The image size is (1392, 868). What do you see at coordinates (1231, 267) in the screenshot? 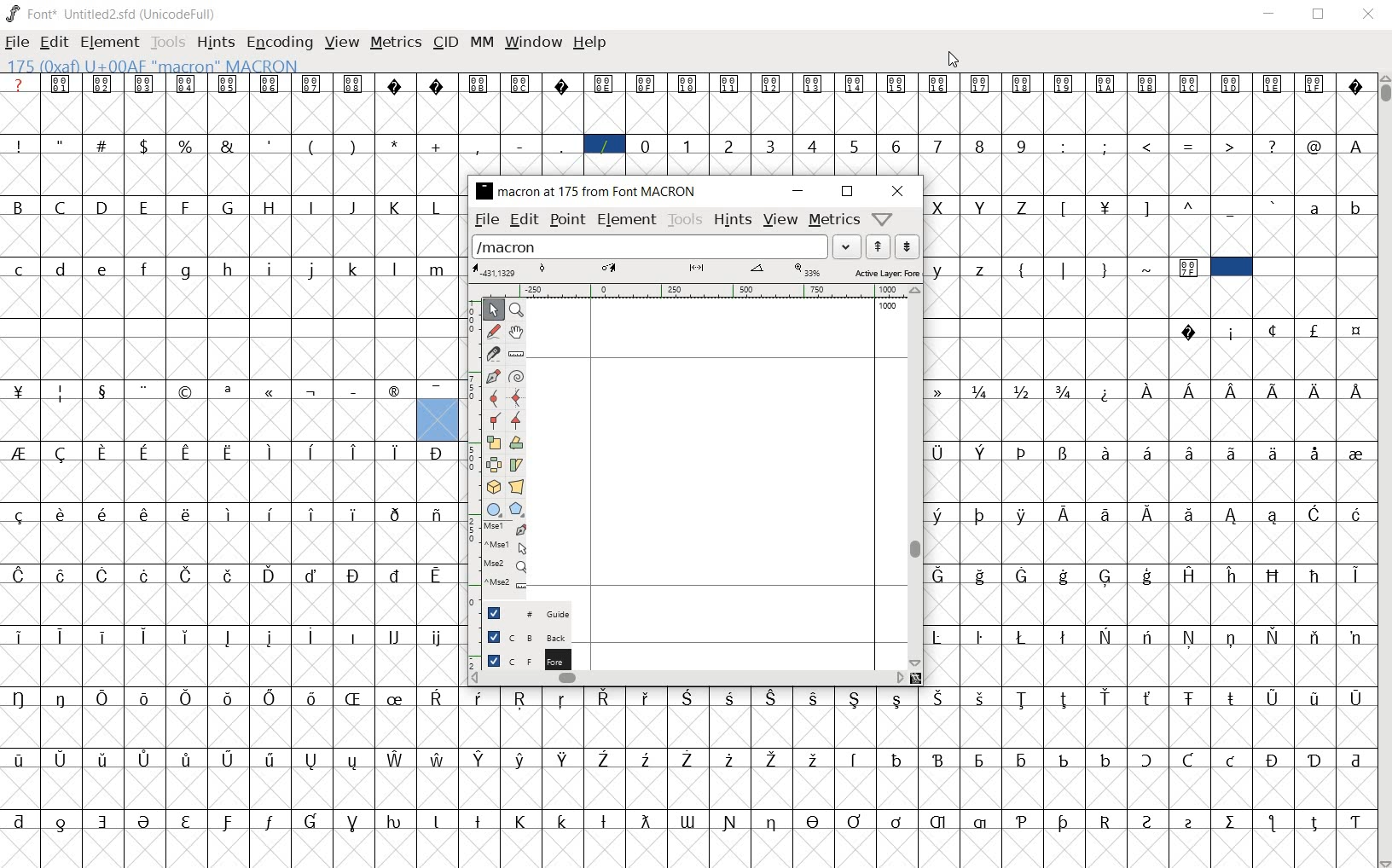
I see `selected cell` at bounding box center [1231, 267].